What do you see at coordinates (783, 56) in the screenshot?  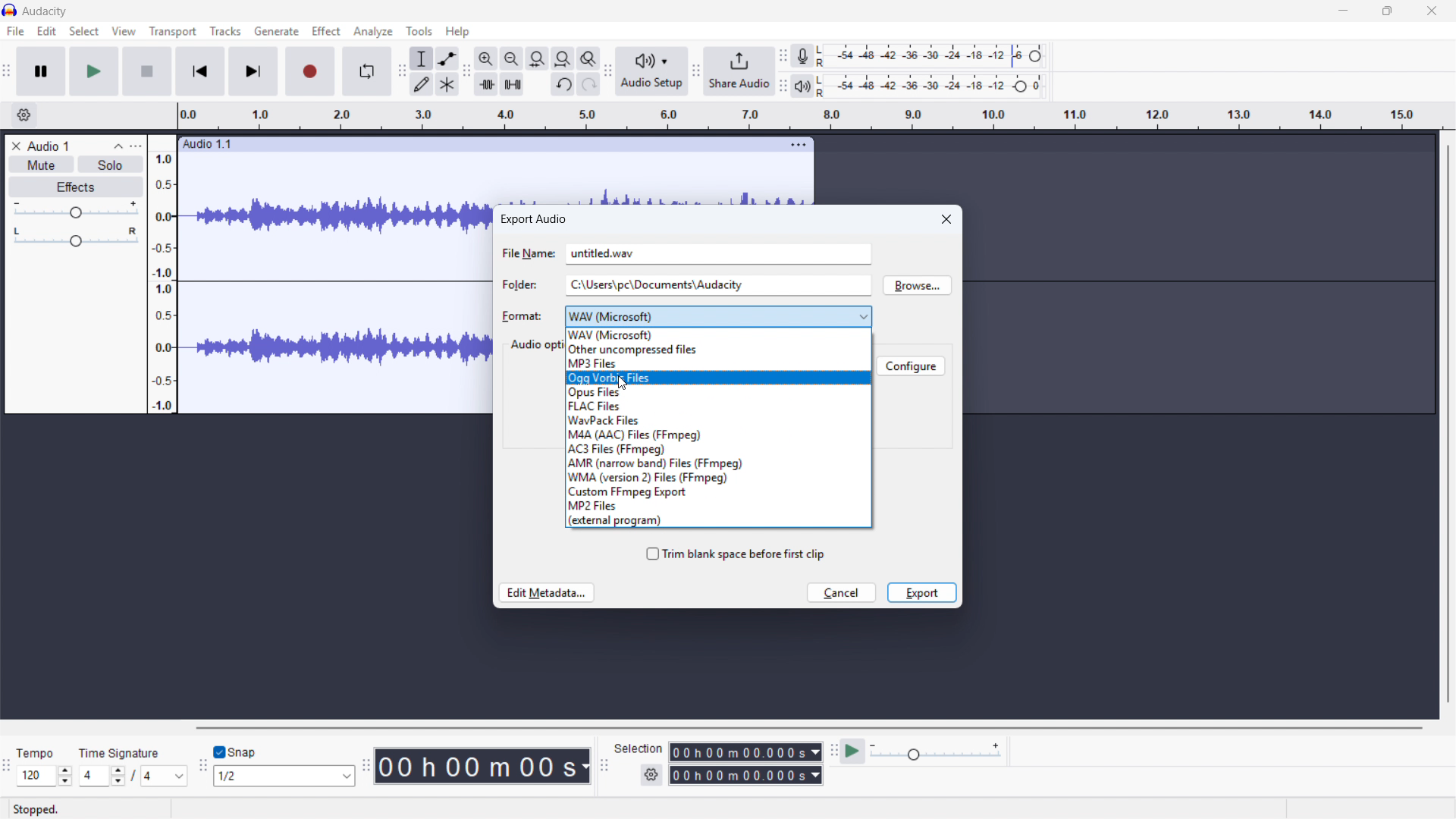 I see `Recording metre toolbar ` at bounding box center [783, 56].